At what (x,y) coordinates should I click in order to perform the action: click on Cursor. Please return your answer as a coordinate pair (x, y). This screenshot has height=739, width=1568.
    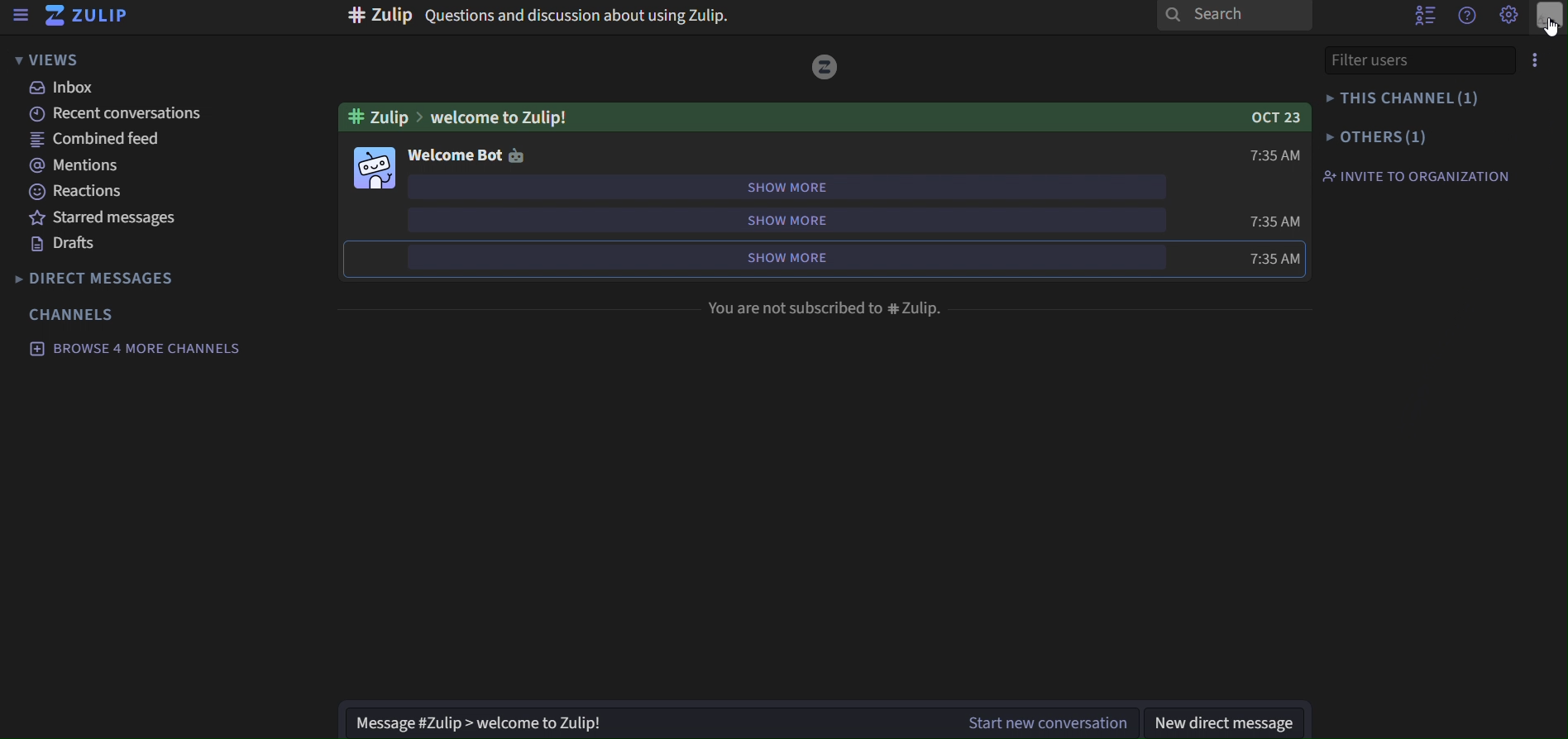
    Looking at the image, I should click on (1544, 28).